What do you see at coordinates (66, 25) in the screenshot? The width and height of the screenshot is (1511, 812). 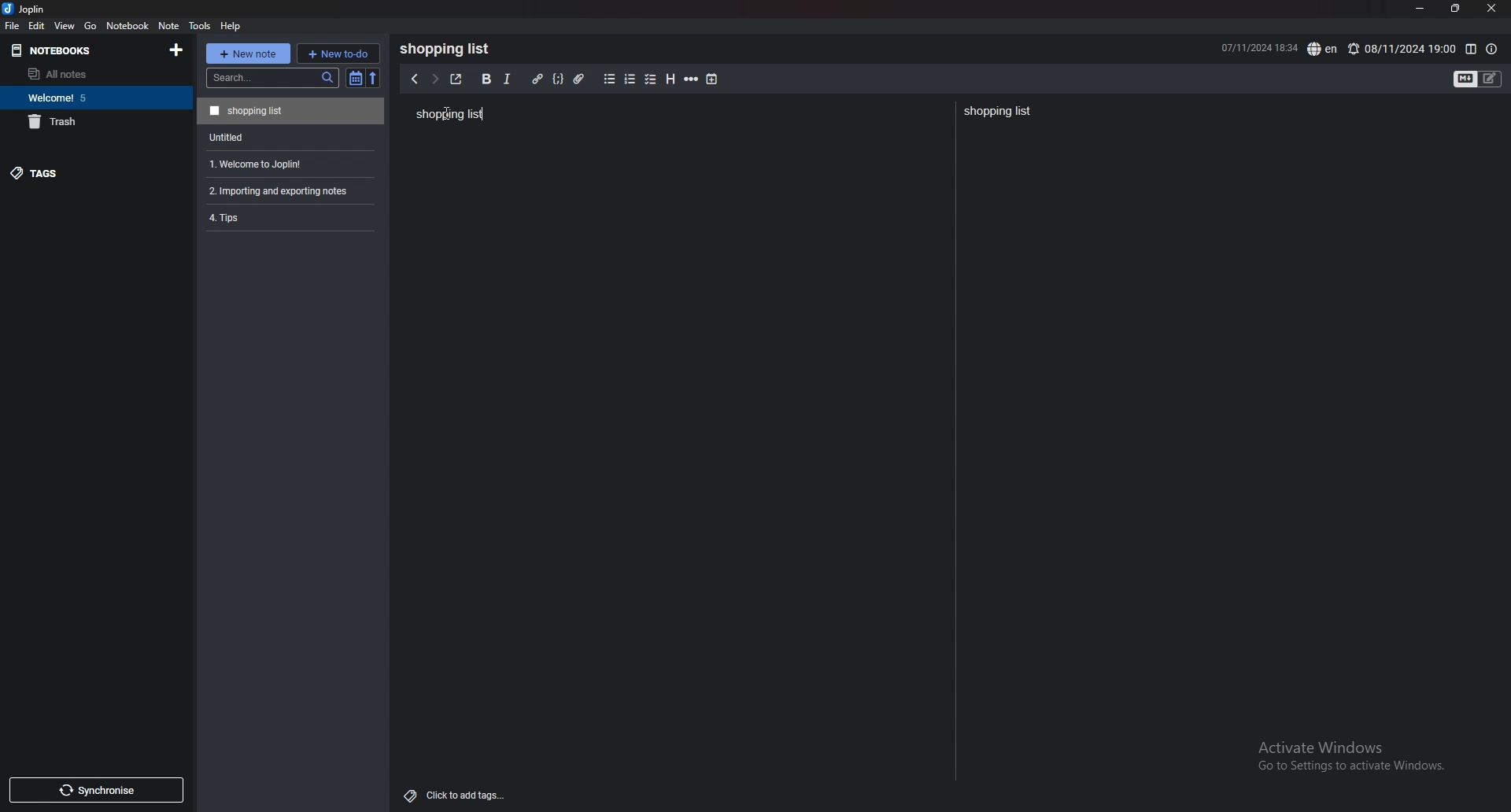 I see `view` at bounding box center [66, 25].